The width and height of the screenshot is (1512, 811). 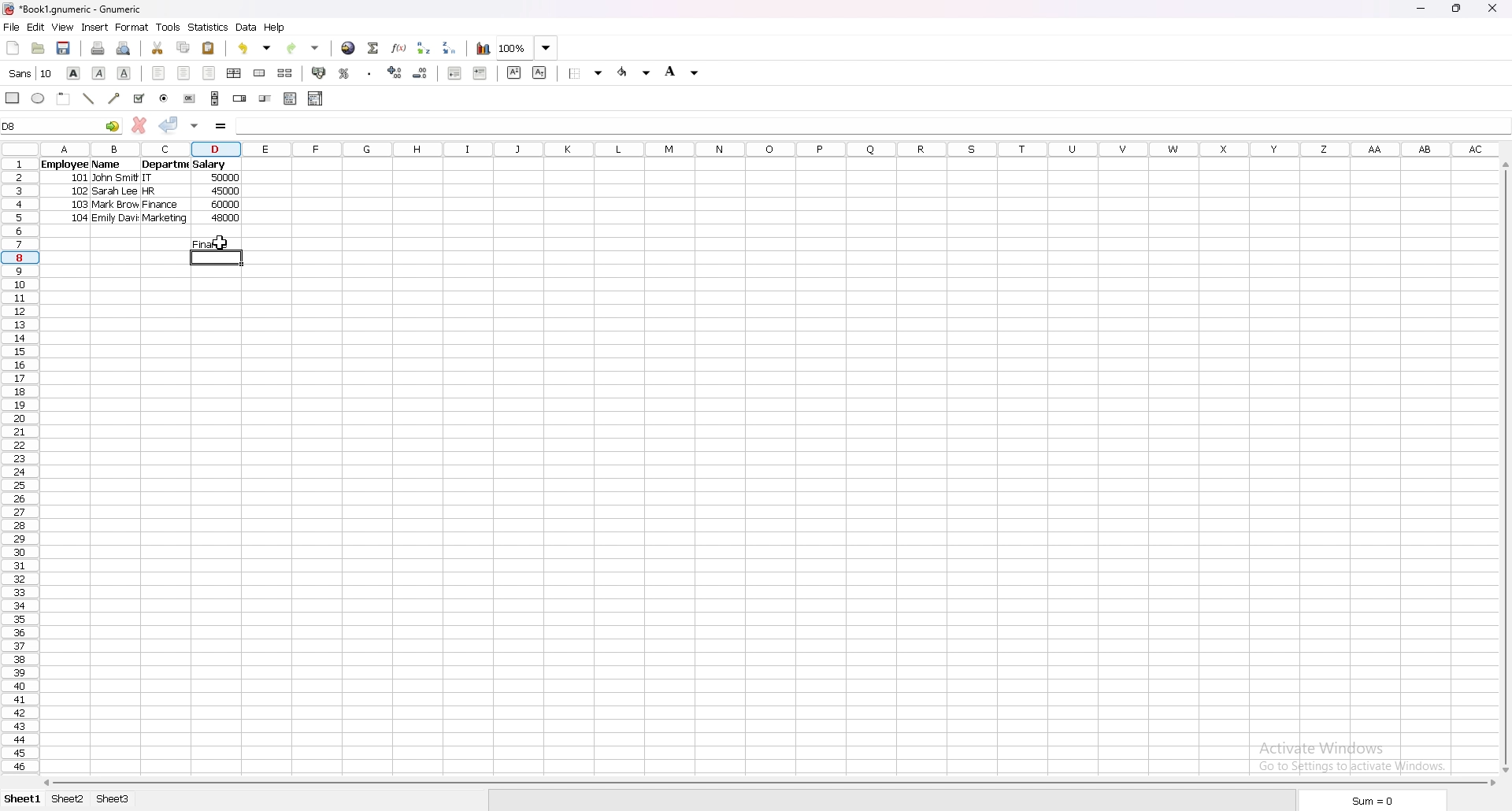 I want to click on 102, so click(x=79, y=194).